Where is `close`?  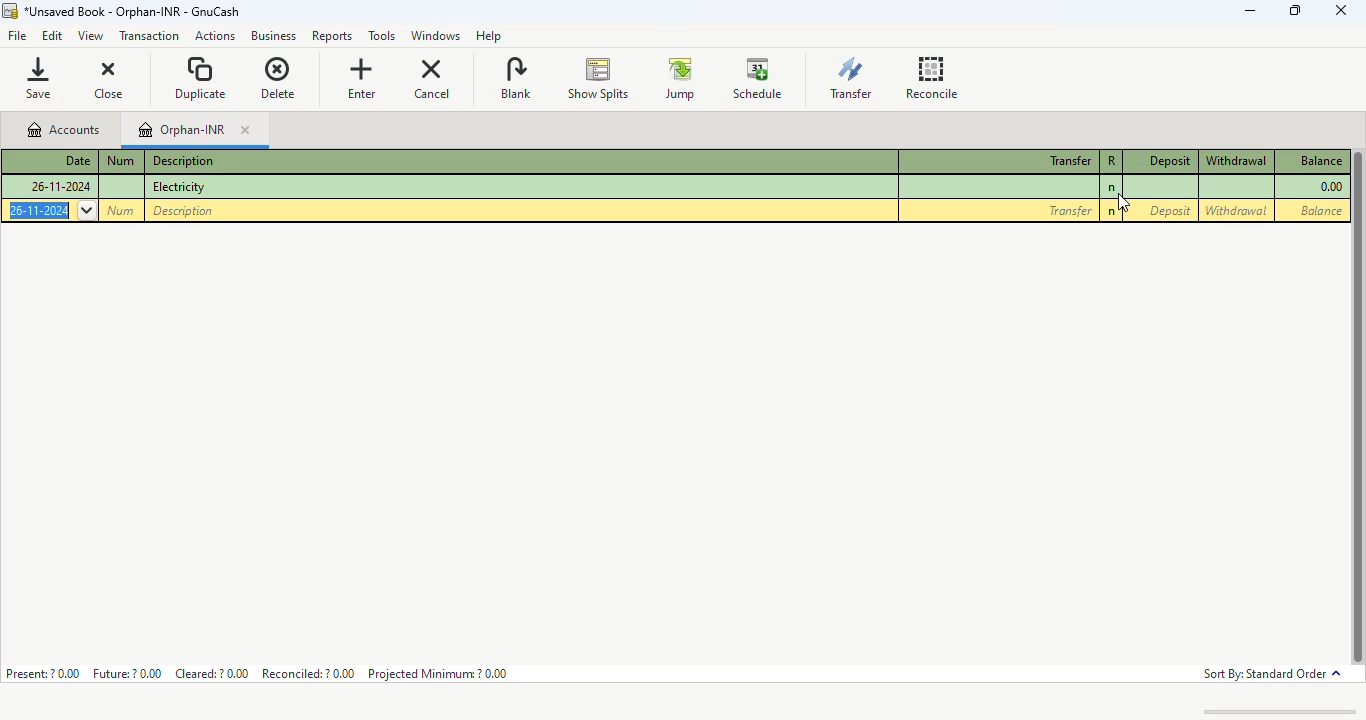
close is located at coordinates (111, 78).